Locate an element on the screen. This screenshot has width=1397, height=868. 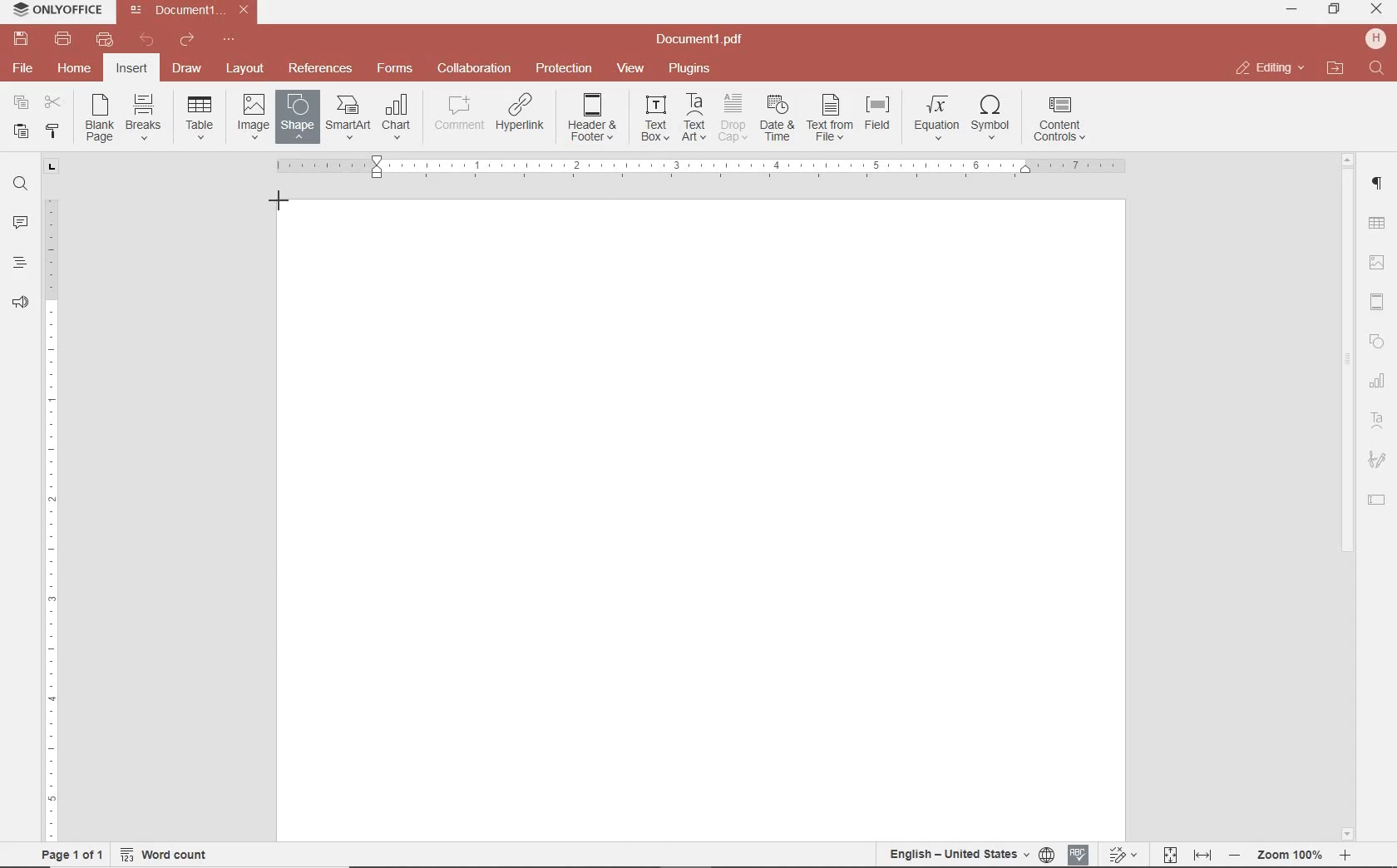
TABLE is located at coordinates (1377, 225).